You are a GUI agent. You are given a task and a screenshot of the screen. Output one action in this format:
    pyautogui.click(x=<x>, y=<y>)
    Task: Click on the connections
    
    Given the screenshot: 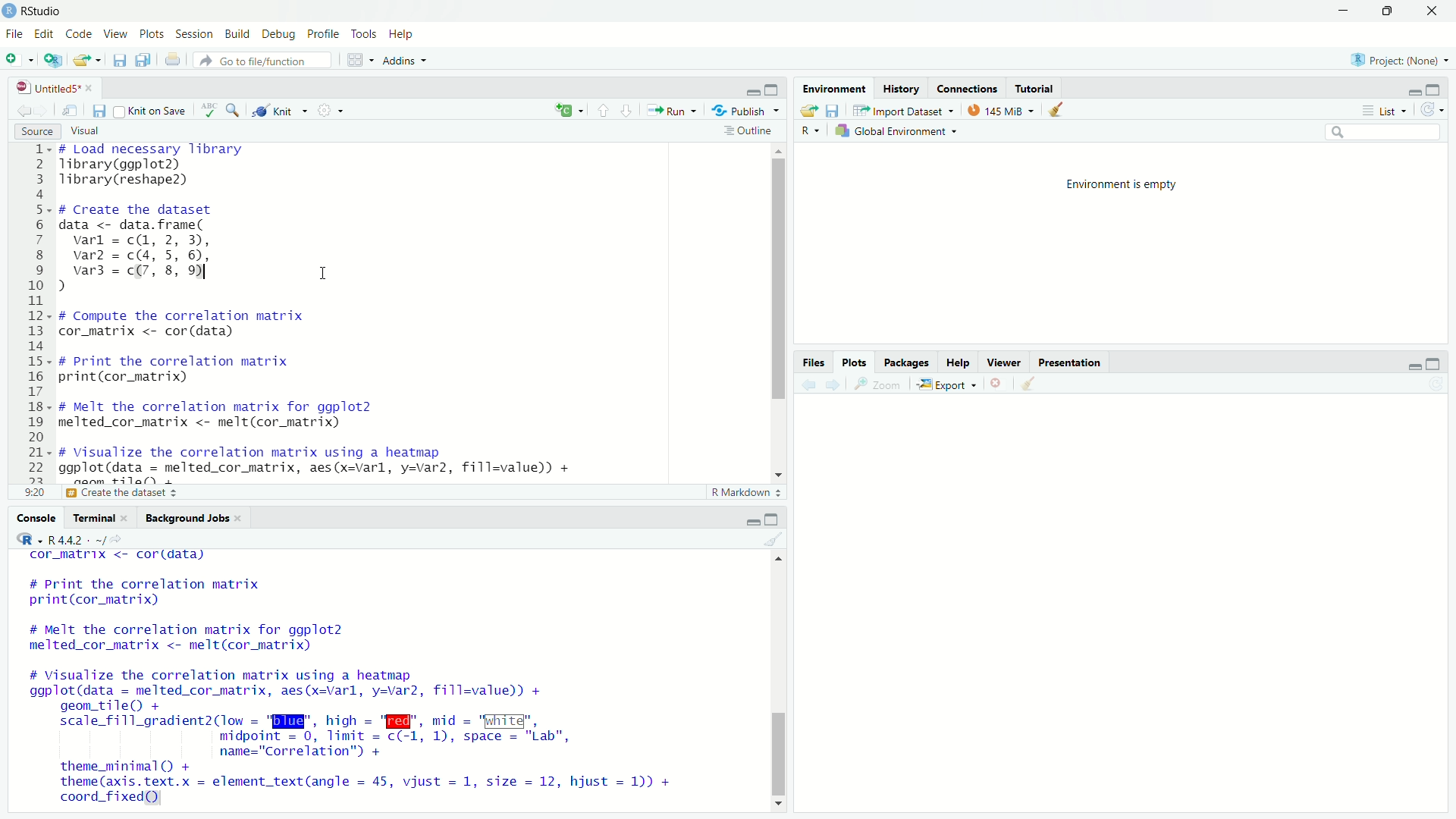 What is the action you would take?
    pyautogui.click(x=969, y=88)
    